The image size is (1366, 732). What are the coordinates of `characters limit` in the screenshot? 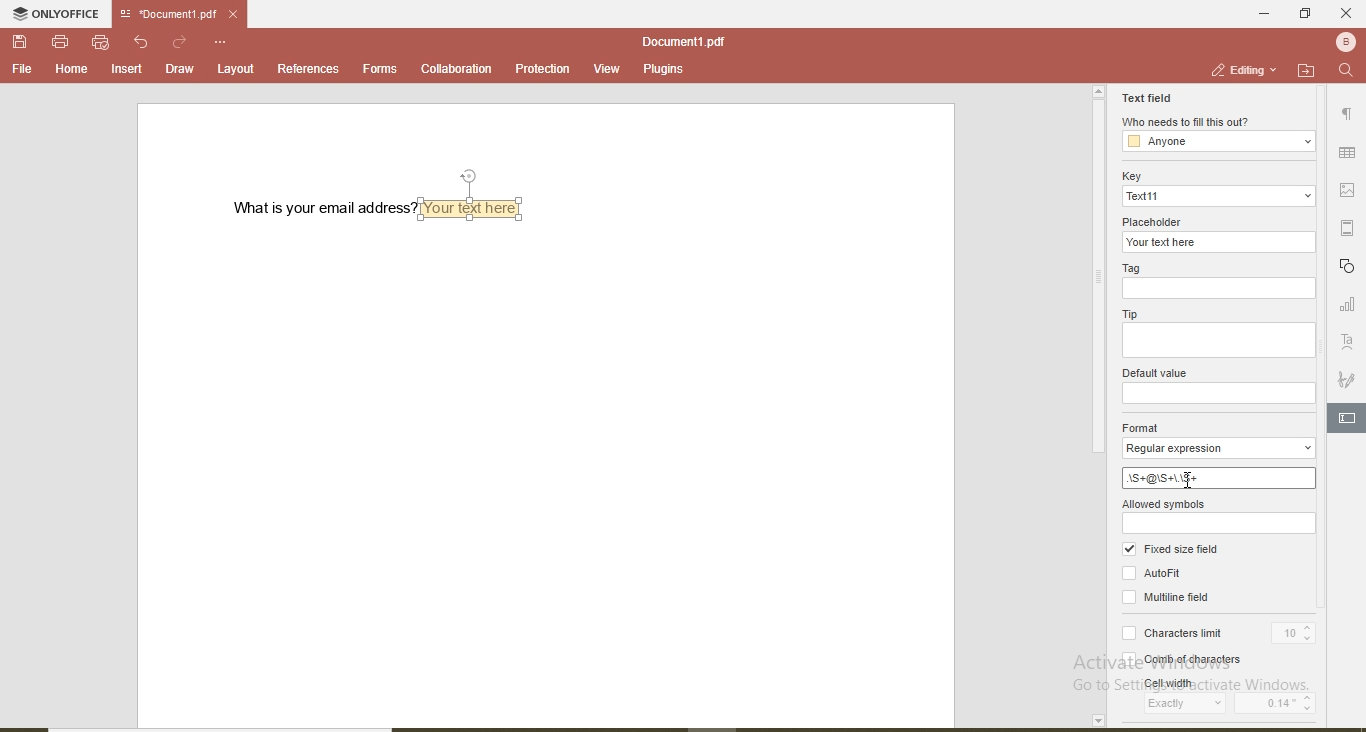 It's located at (1171, 628).